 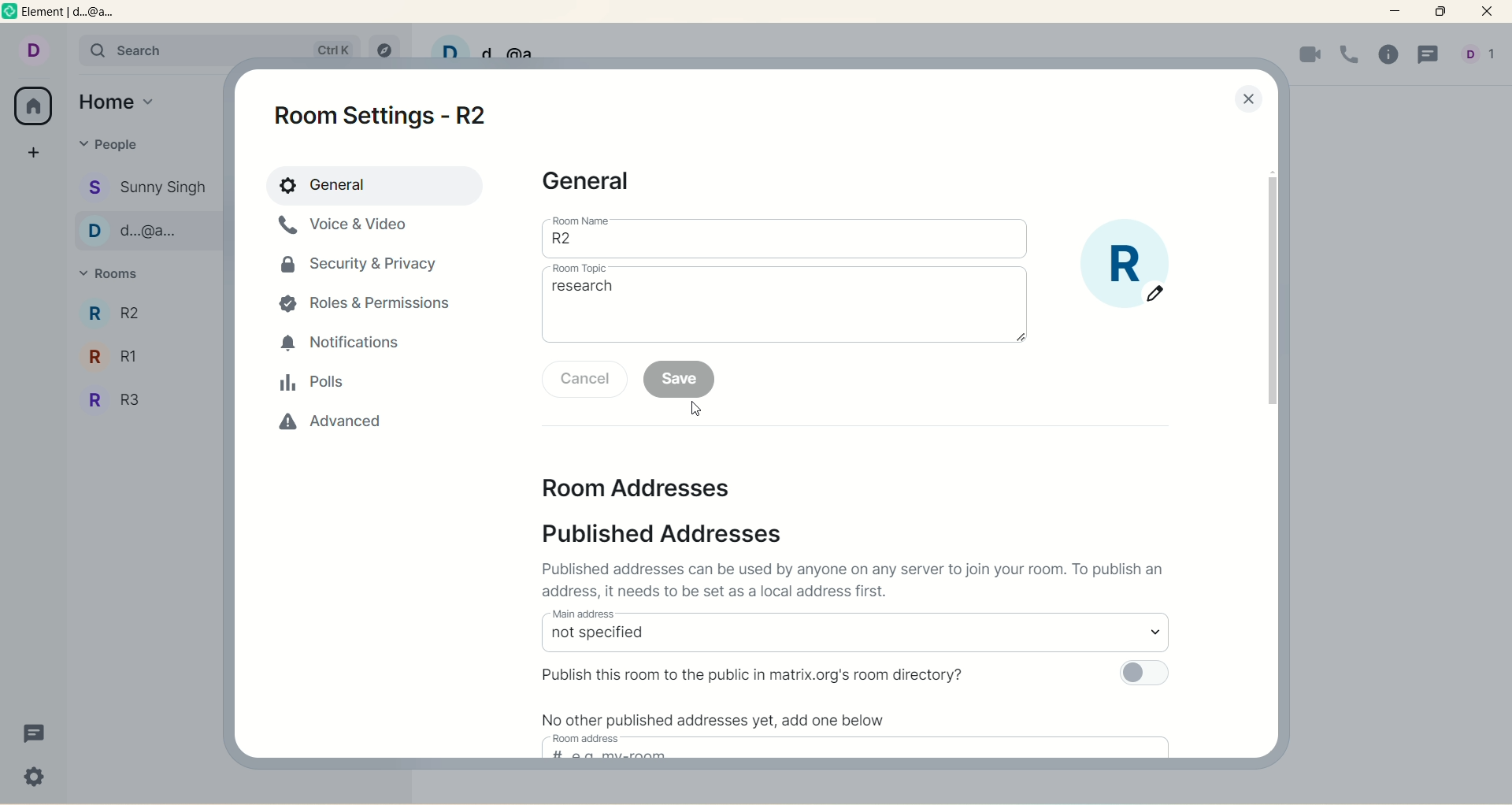 What do you see at coordinates (350, 232) in the screenshot?
I see `voice & video` at bounding box center [350, 232].